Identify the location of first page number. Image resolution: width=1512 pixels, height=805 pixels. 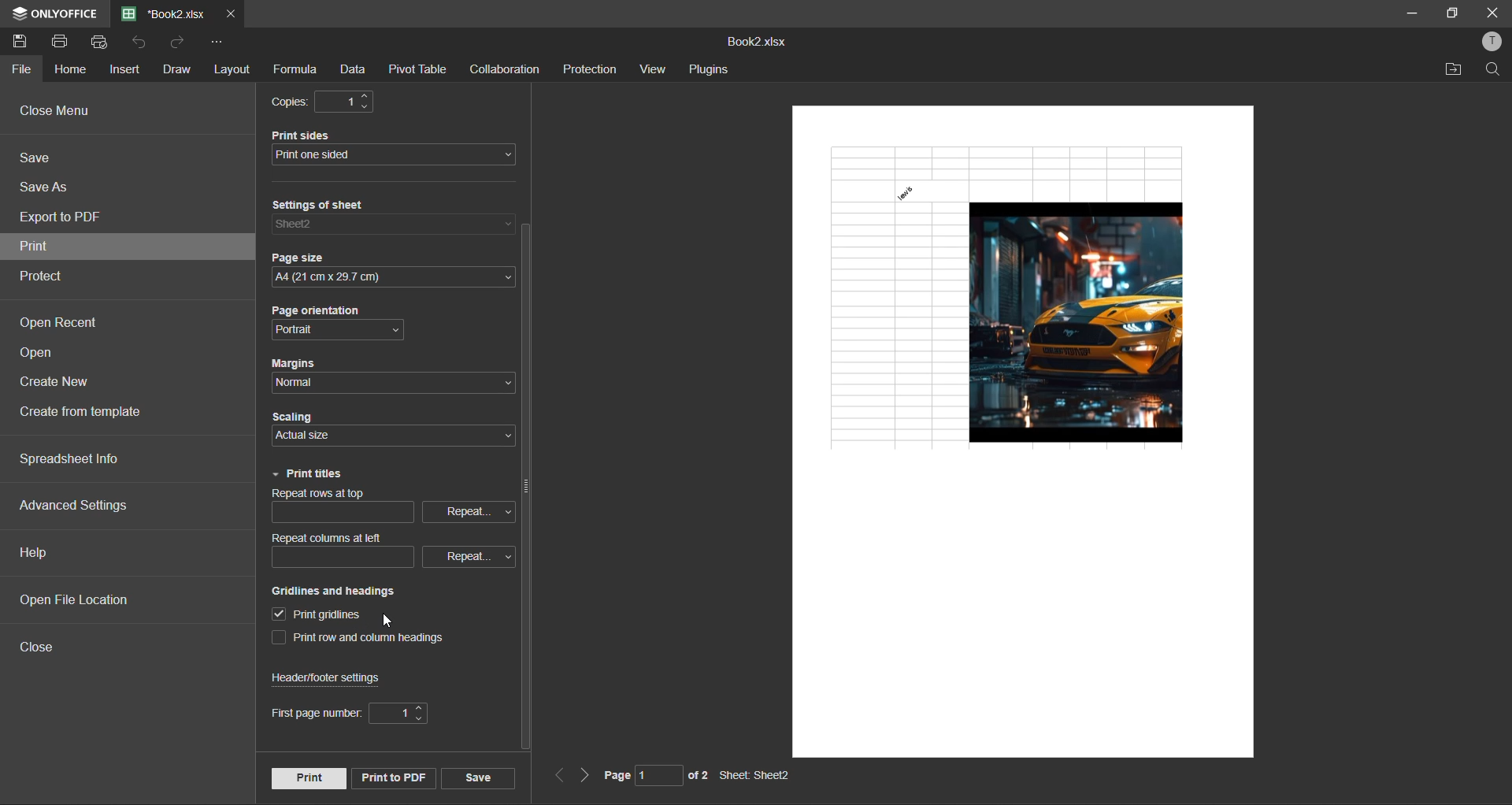
(355, 713).